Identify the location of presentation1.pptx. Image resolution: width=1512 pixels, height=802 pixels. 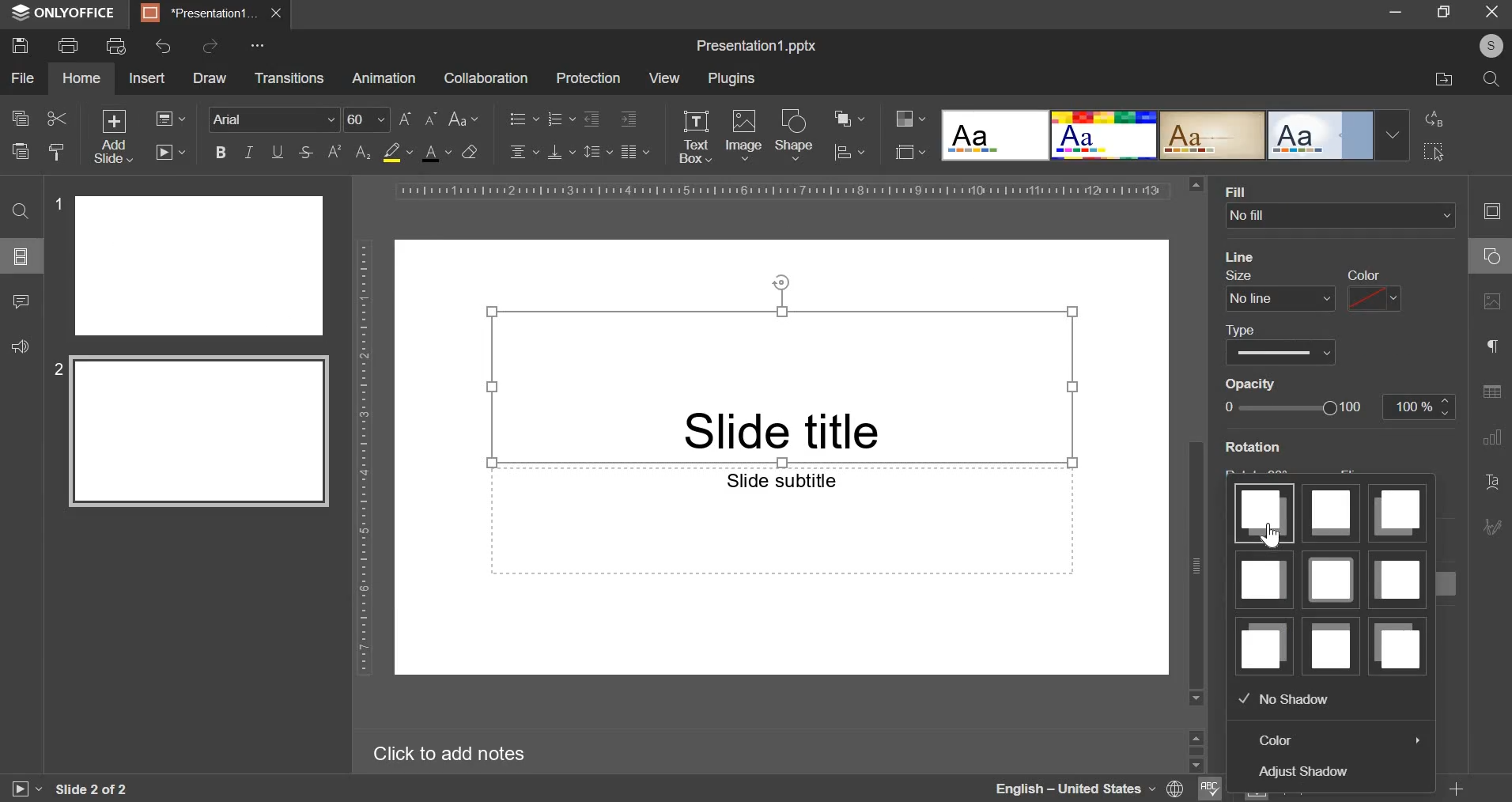
(758, 43).